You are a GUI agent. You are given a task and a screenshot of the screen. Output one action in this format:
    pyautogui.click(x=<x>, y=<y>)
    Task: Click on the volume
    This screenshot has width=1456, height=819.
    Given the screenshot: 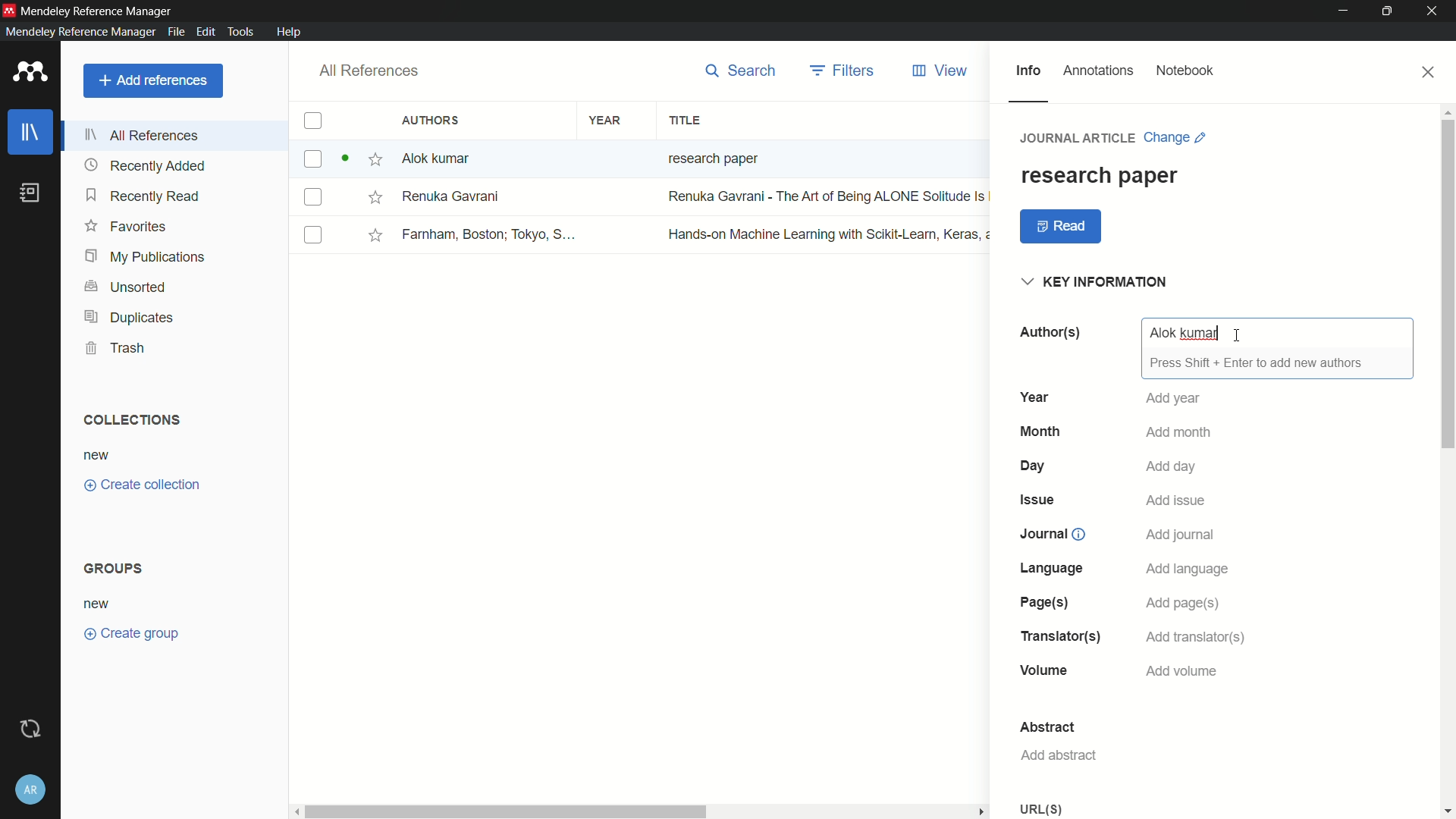 What is the action you would take?
    pyautogui.click(x=1044, y=670)
    